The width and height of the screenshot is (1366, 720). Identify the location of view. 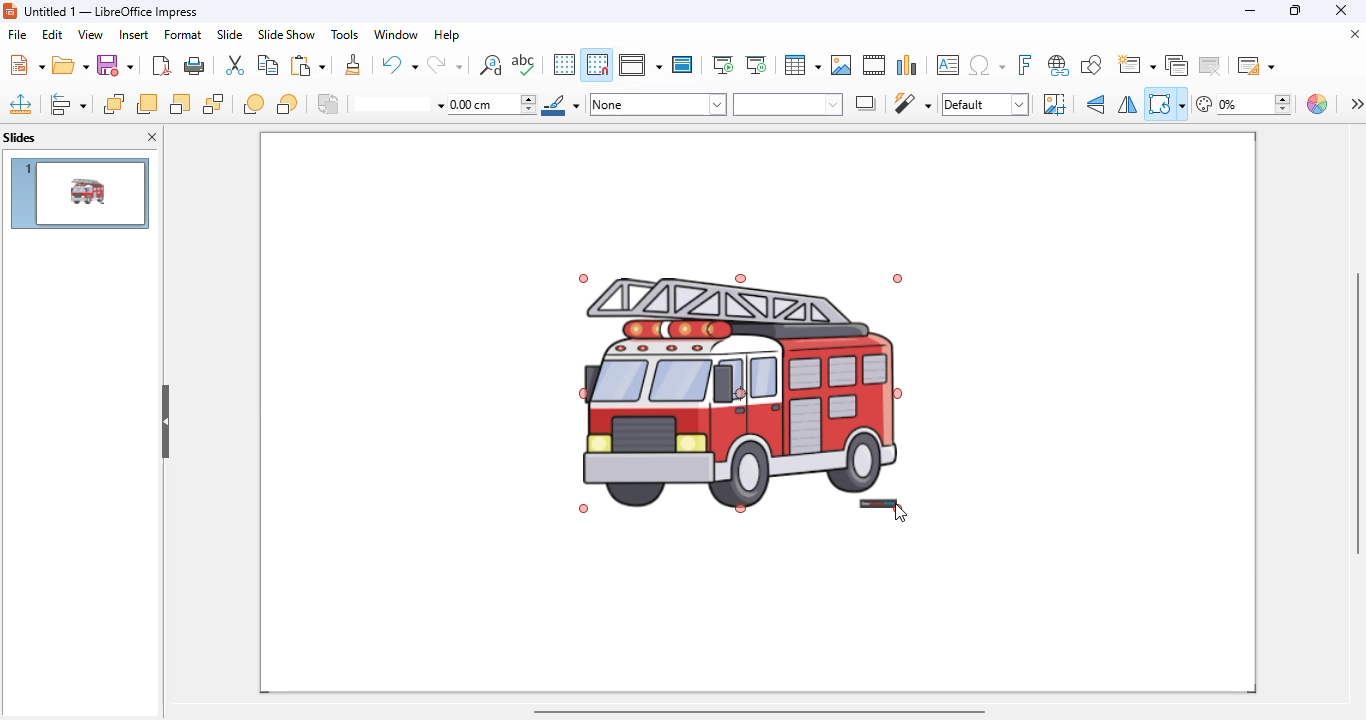
(90, 35).